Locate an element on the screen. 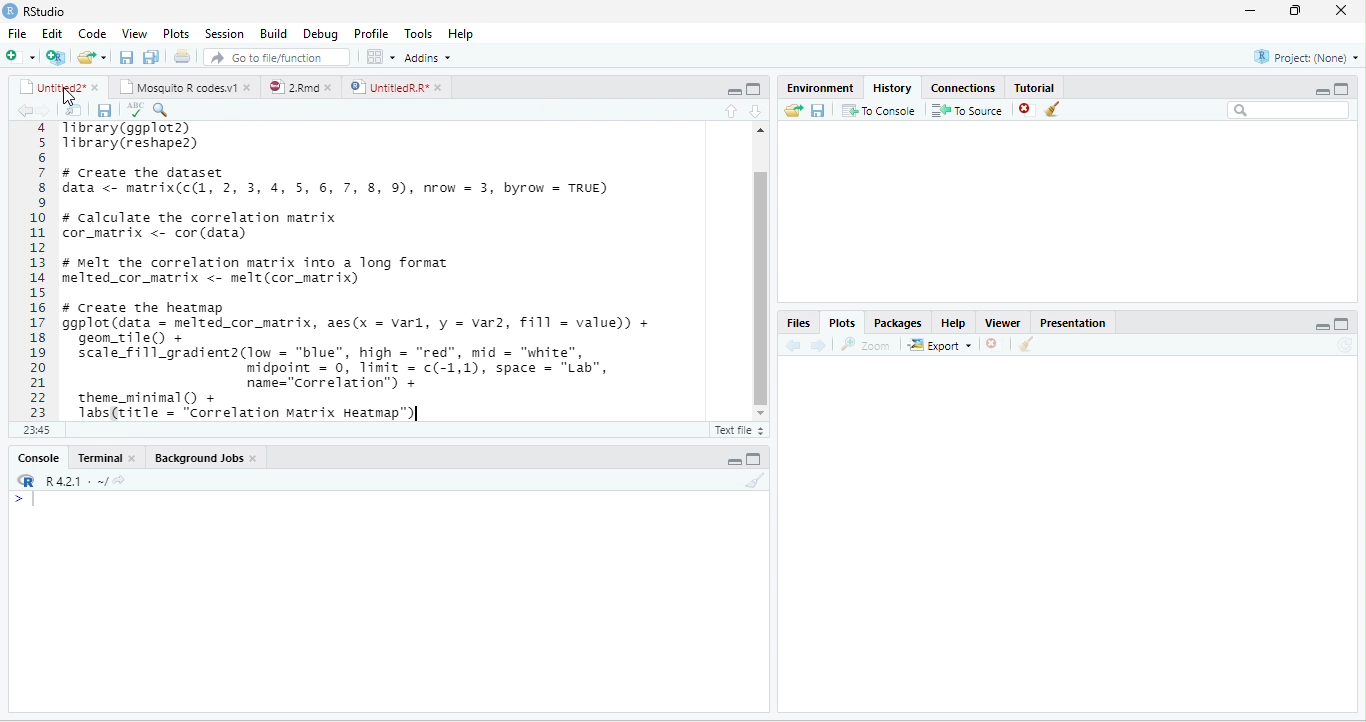 Image resolution: width=1366 pixels, height=722 pixels. aximize  is located at coordinates (1348, 86).